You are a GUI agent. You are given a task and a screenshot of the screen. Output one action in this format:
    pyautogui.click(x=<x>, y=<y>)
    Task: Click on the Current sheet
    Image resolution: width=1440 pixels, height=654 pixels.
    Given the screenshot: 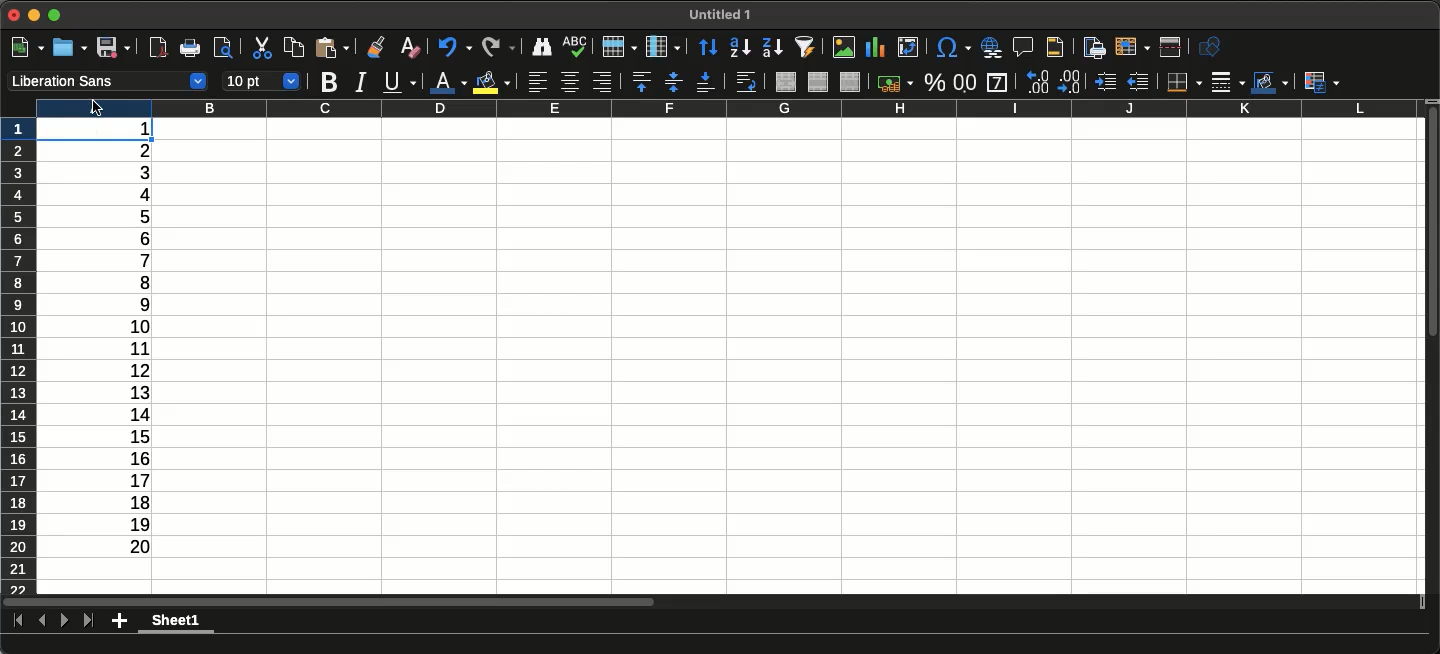 What is the action you would take?
    pyautogui.click(x=173, y=620)
    